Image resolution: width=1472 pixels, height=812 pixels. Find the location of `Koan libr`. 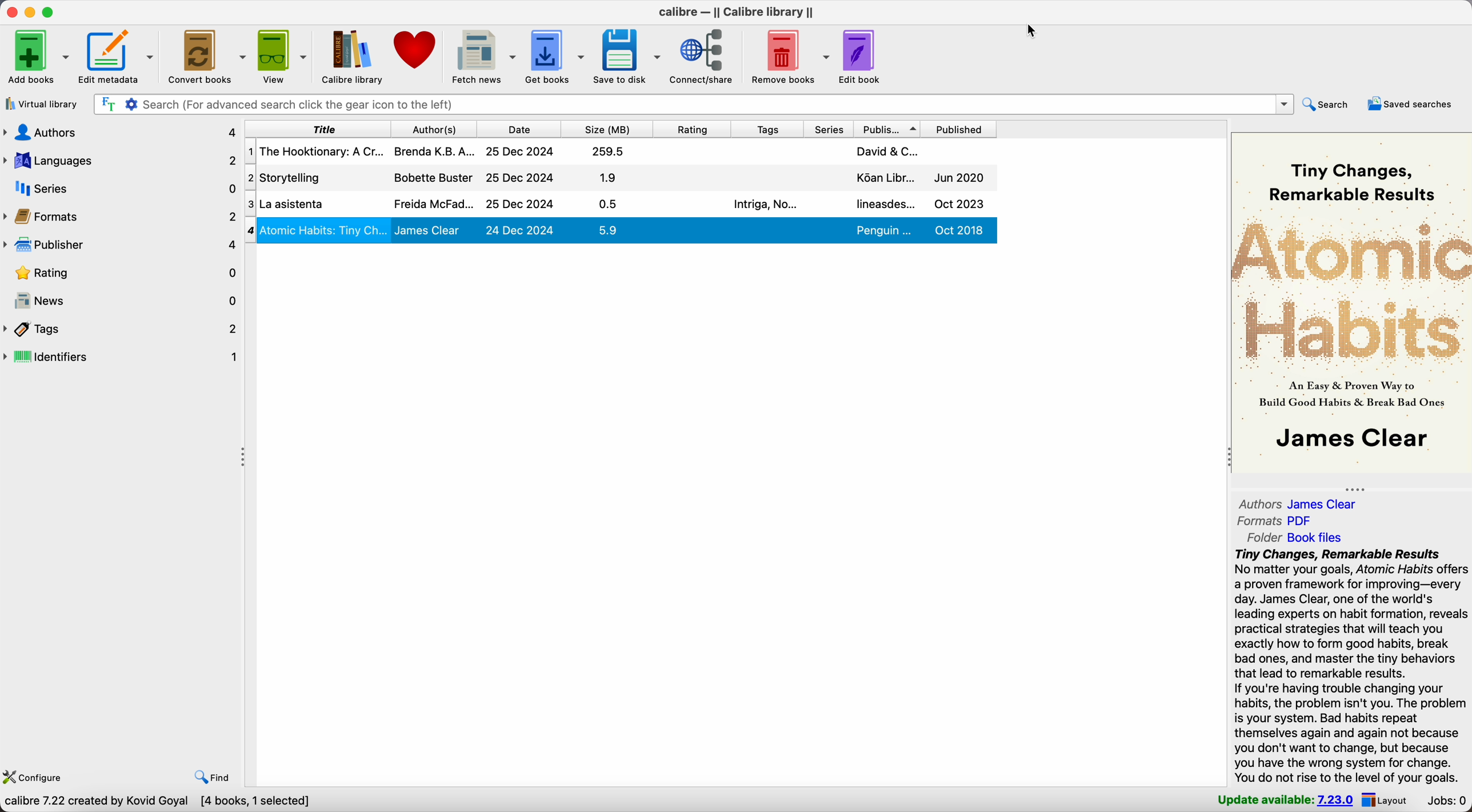

Koan libr is located at coordinates (886, 177).